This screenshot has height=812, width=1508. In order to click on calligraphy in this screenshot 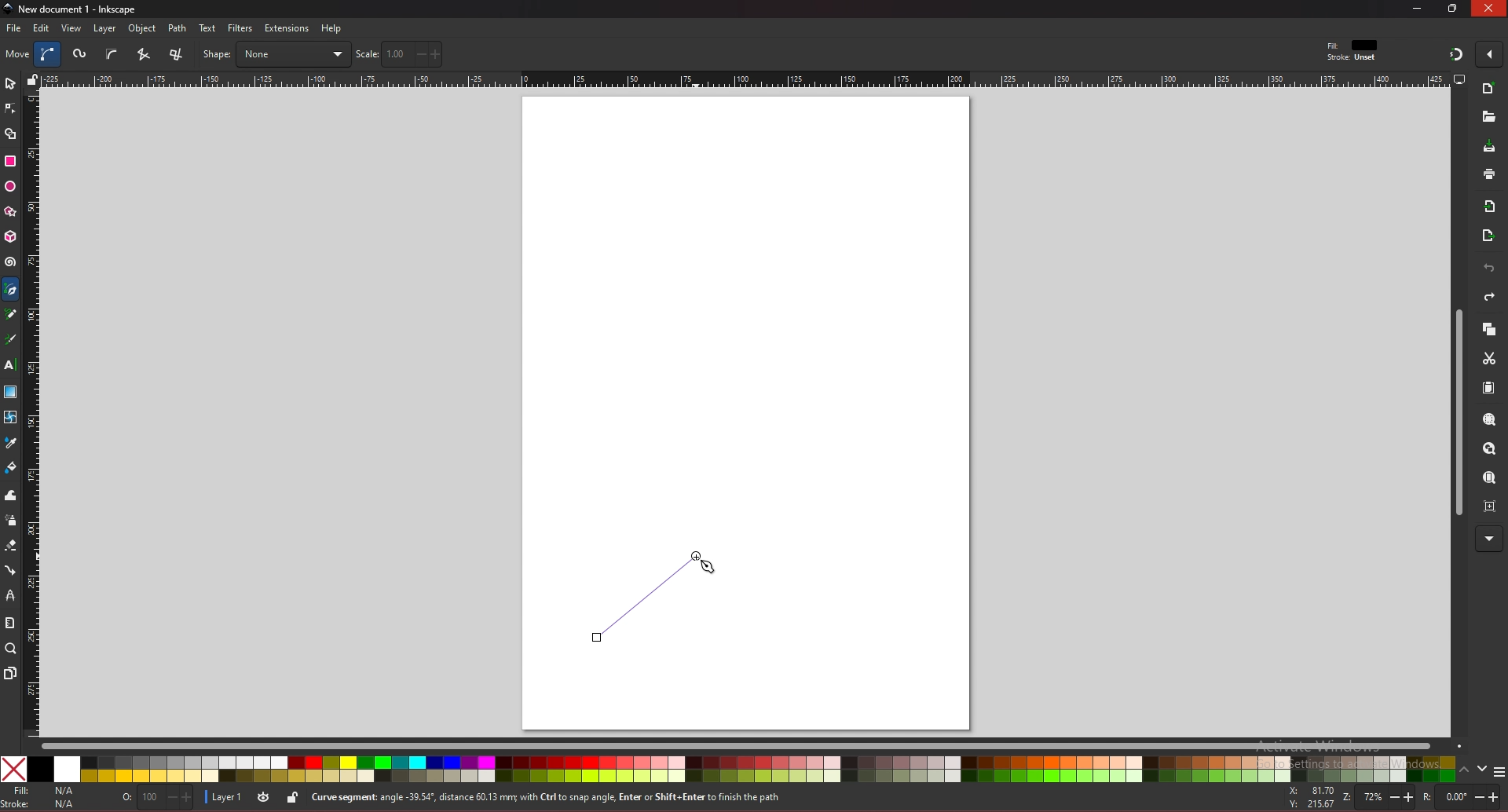, I will do `click(13, 341)`.